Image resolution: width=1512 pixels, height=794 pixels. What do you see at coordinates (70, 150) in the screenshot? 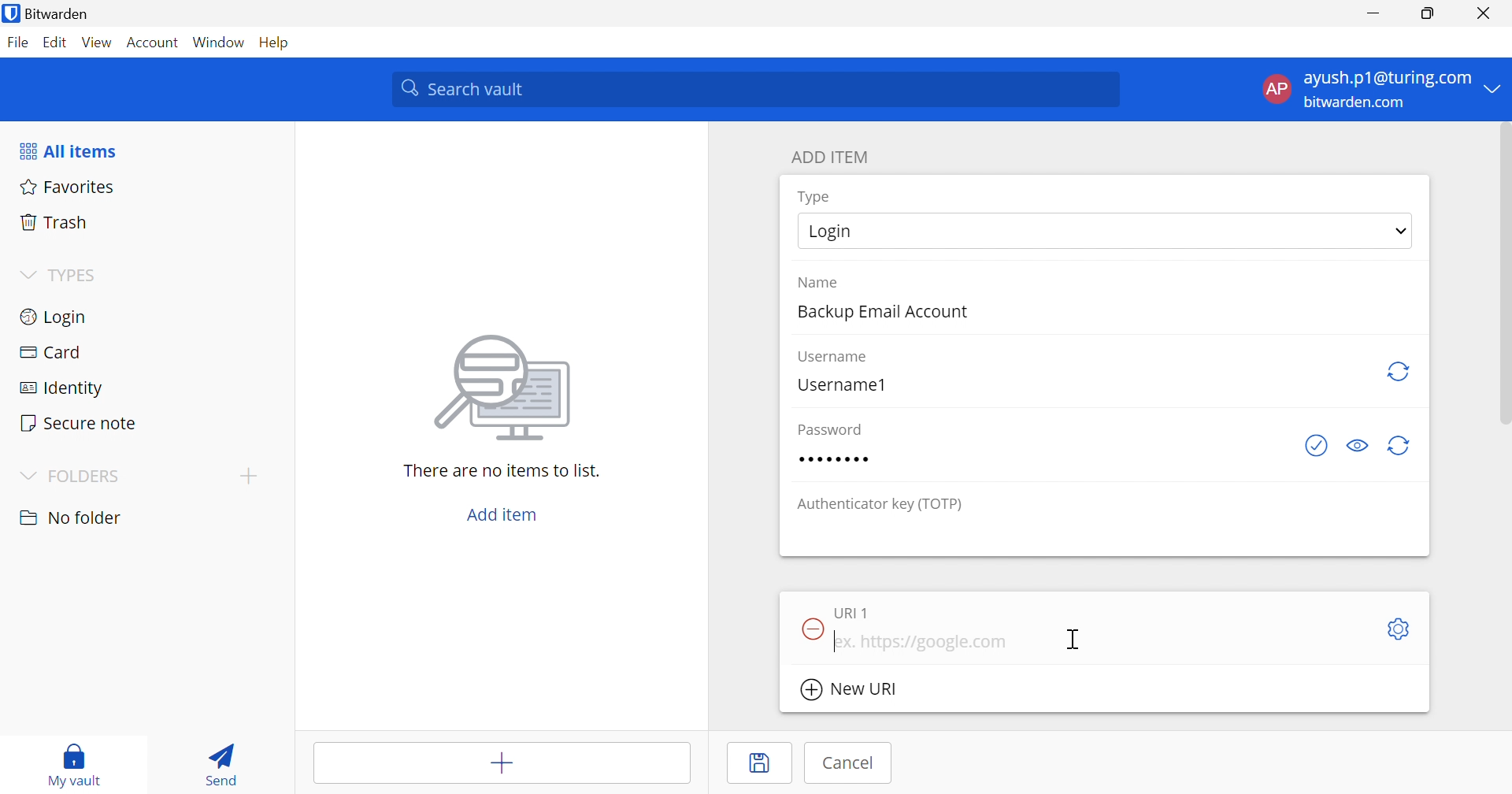
I see `All items` at bounding box center [70, 150].